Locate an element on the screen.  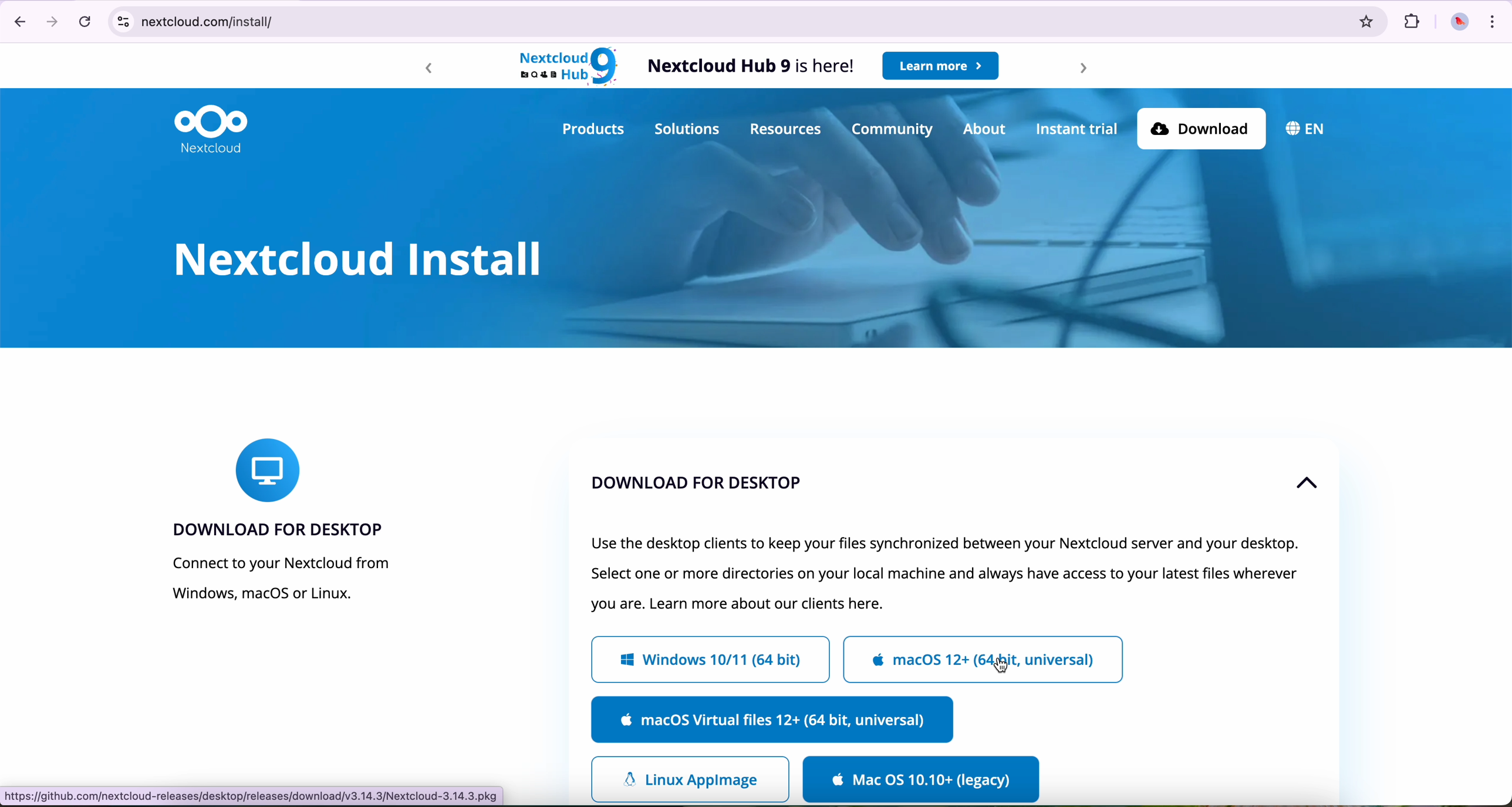
https://github.com/nextcloud-release/dekstop/release/download/v3.14/Nextcloud-3.14.3.pkg is located at coordinates (269, 794).